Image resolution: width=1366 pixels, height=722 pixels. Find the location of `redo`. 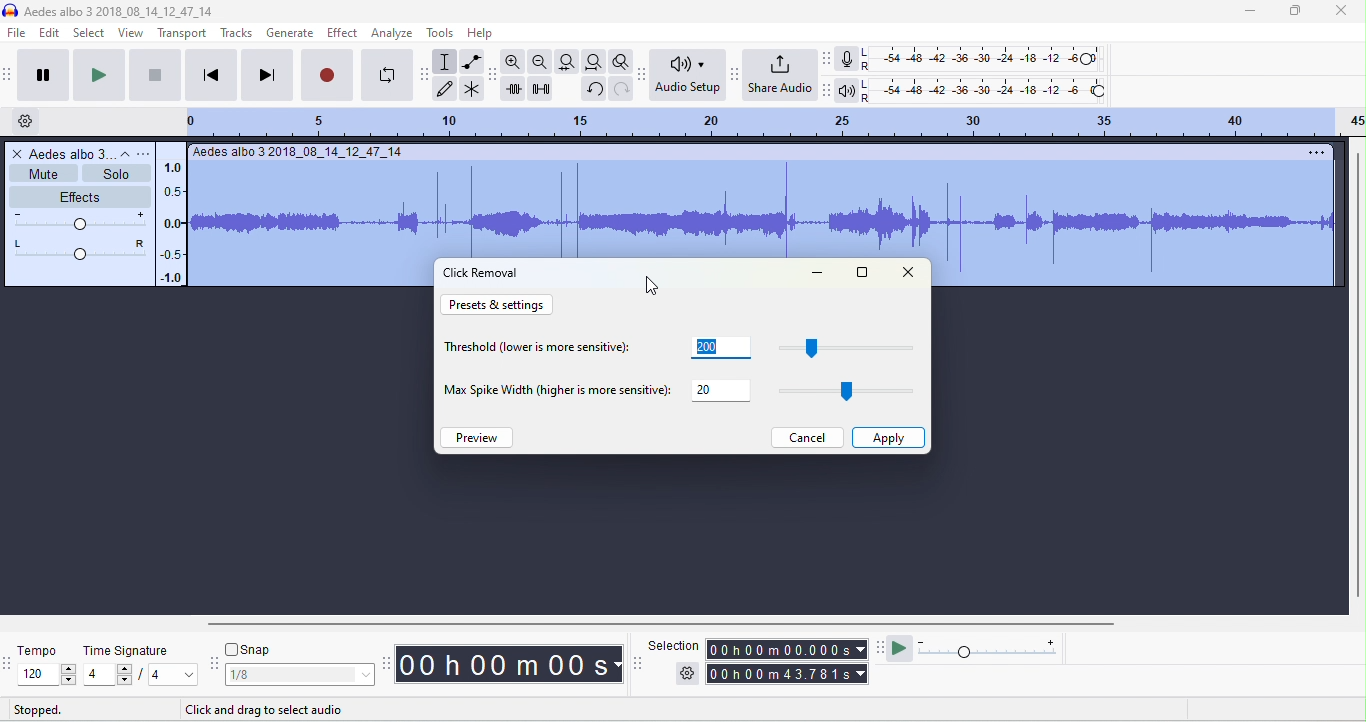

redo is located at coordinates (622, 89).